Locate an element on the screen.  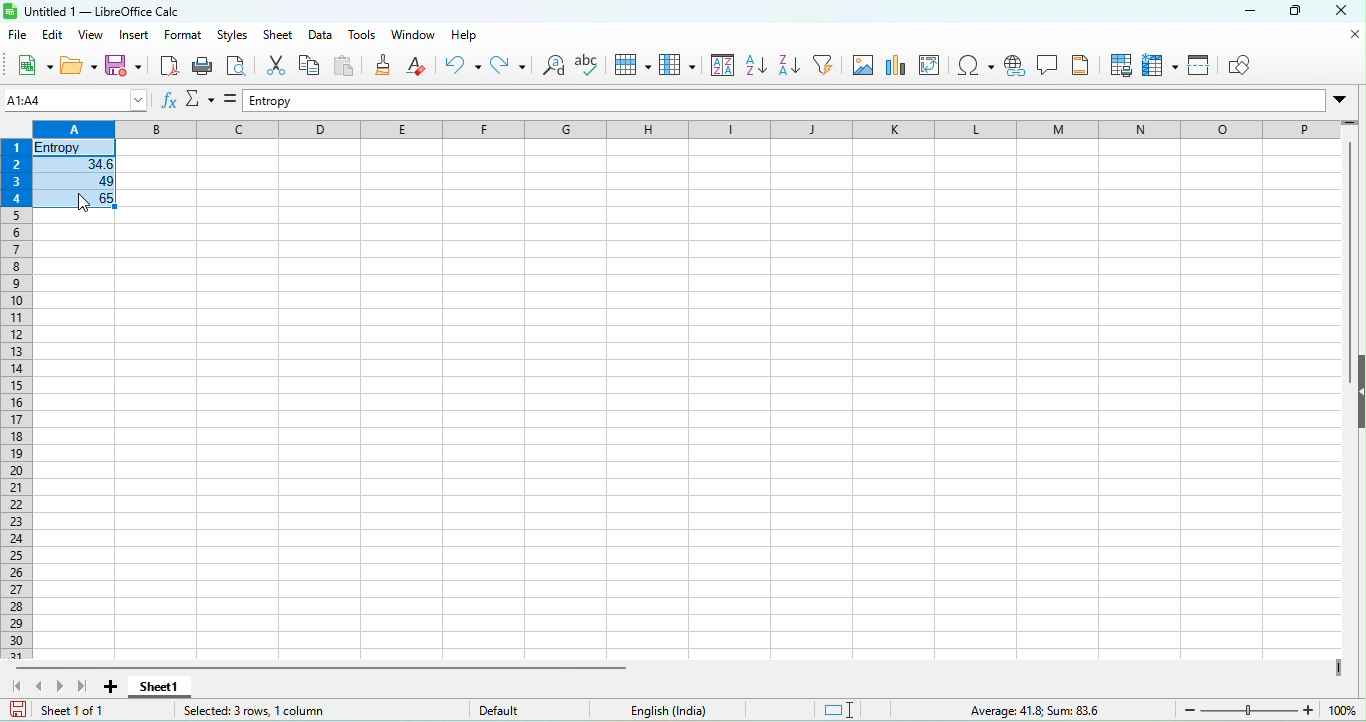
freeze row and column is located at coordinates (1158, 68).